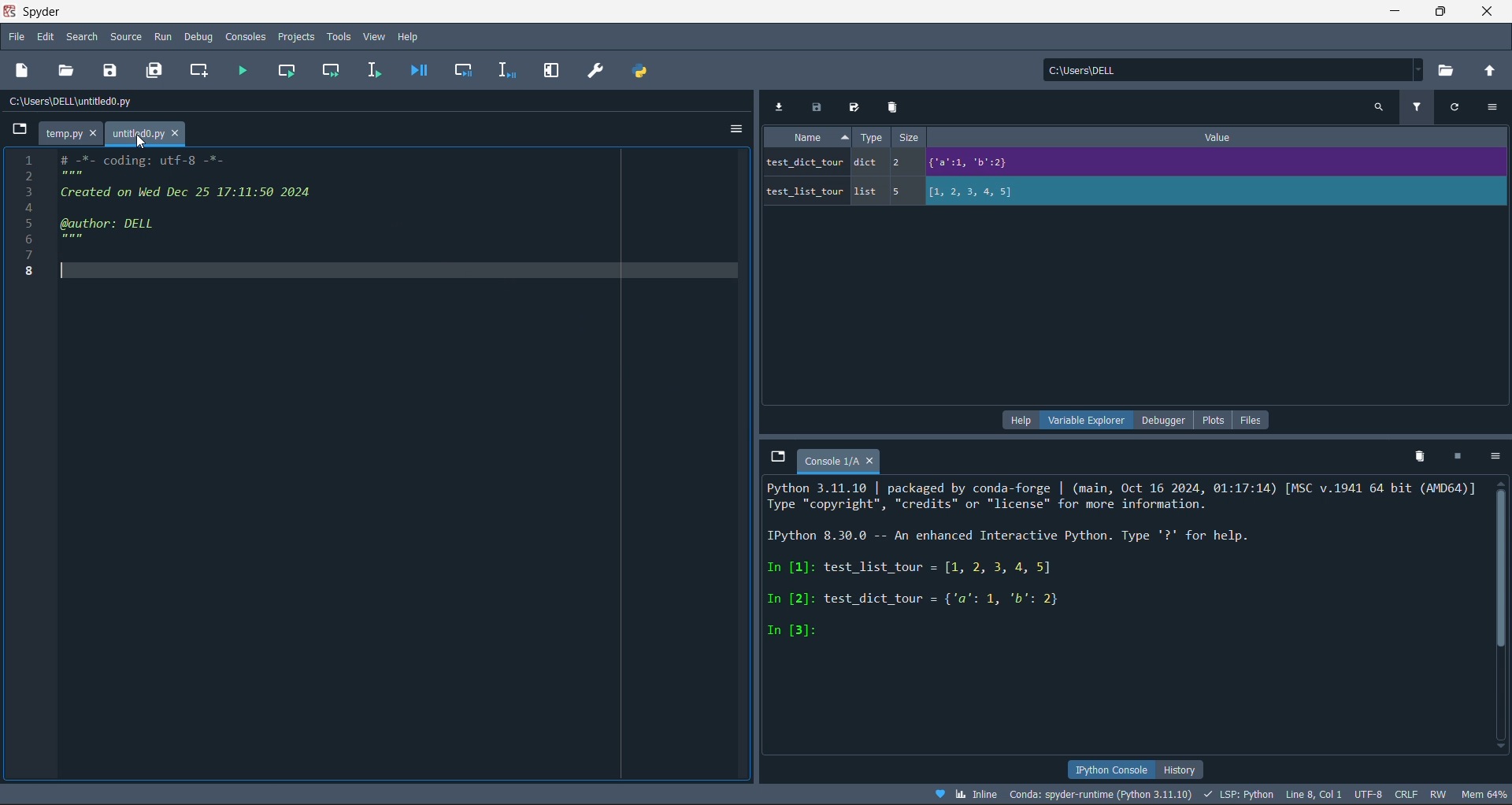 The image size is (1512, 805). Describe the element at coordinates (245, 69) in the screenshot. I see `run file` at that location.